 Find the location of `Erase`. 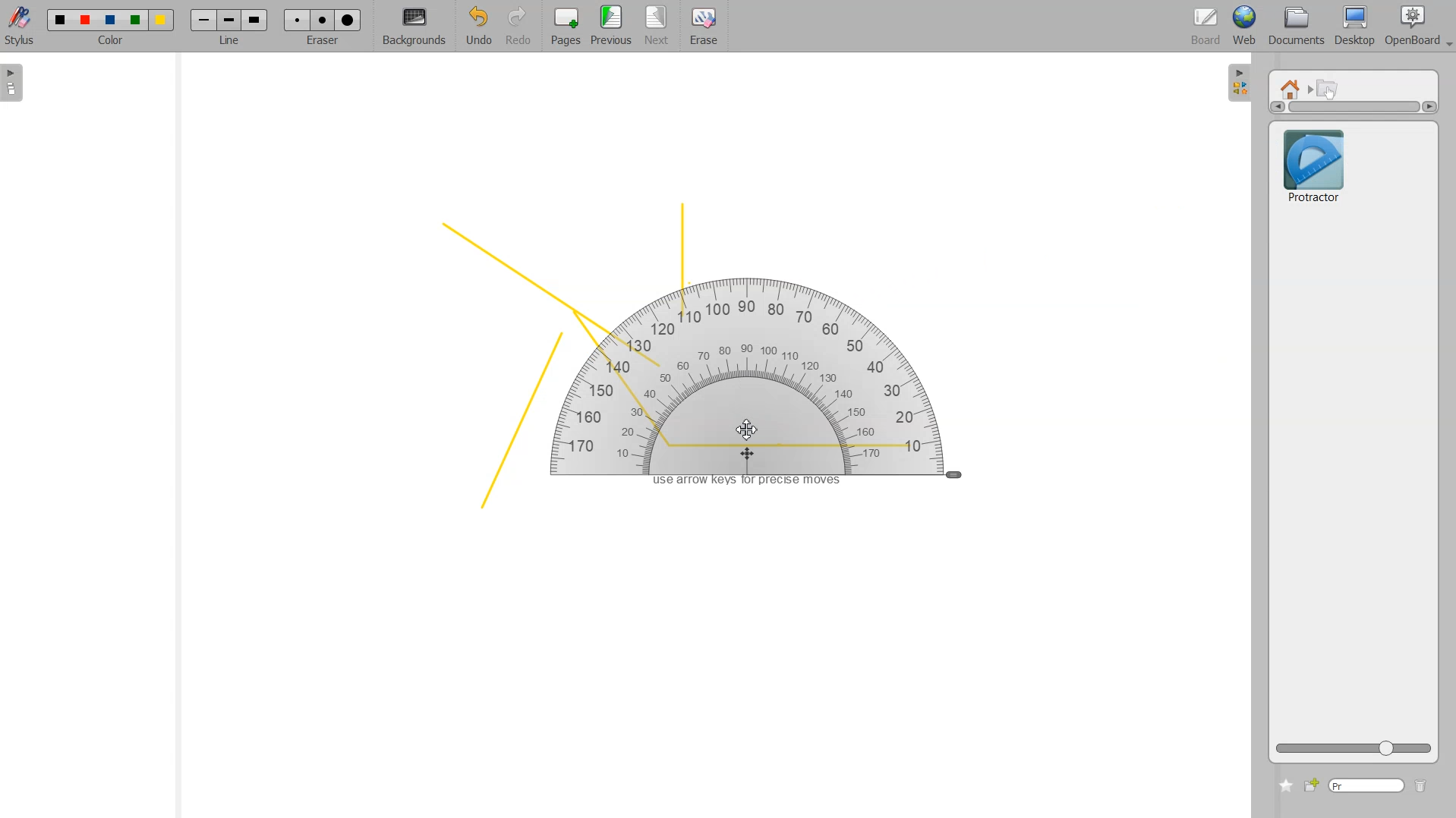

Erase is located at coordinates (322, 20).